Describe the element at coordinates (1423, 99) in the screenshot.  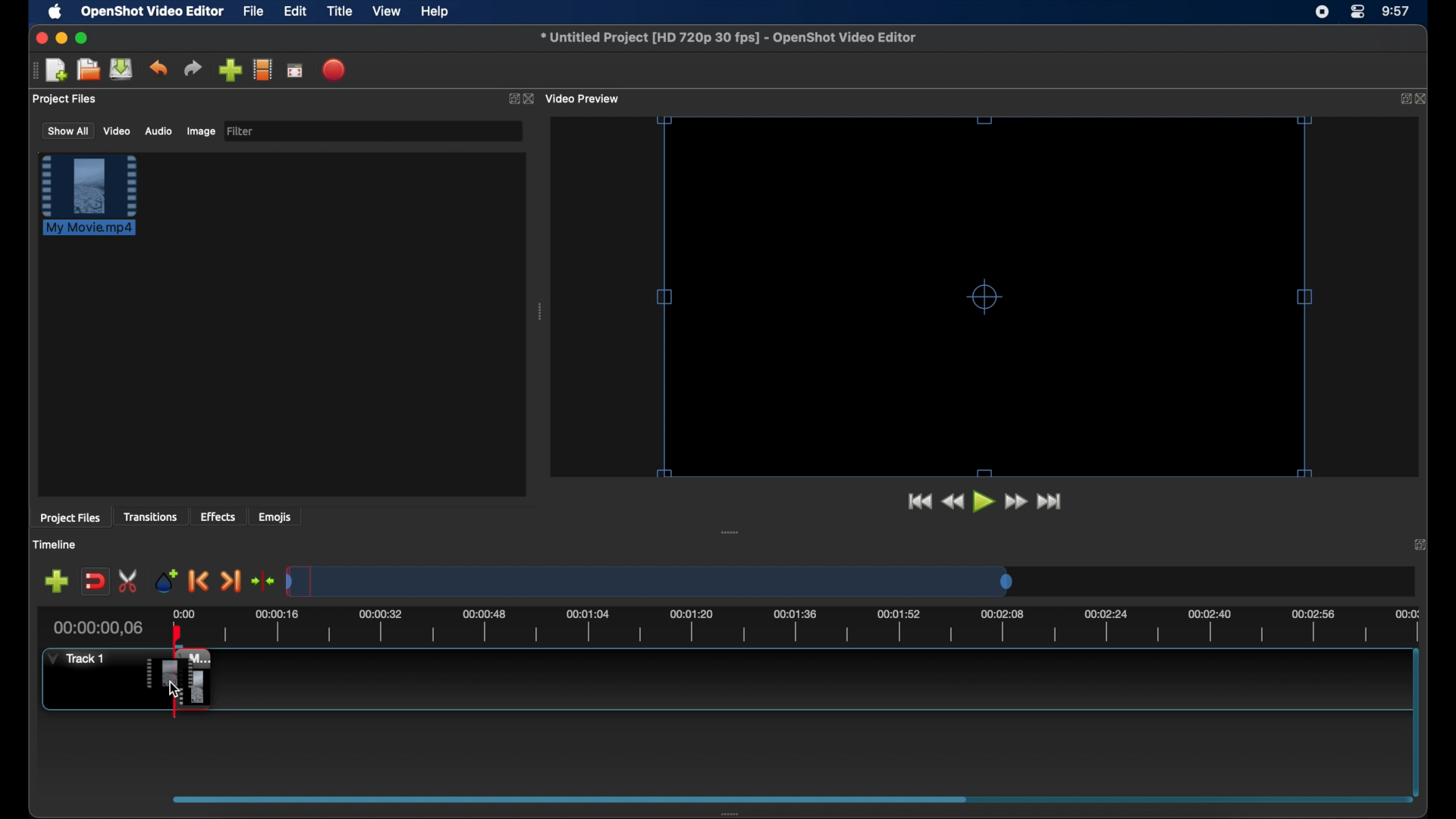
I see `close` at that location.